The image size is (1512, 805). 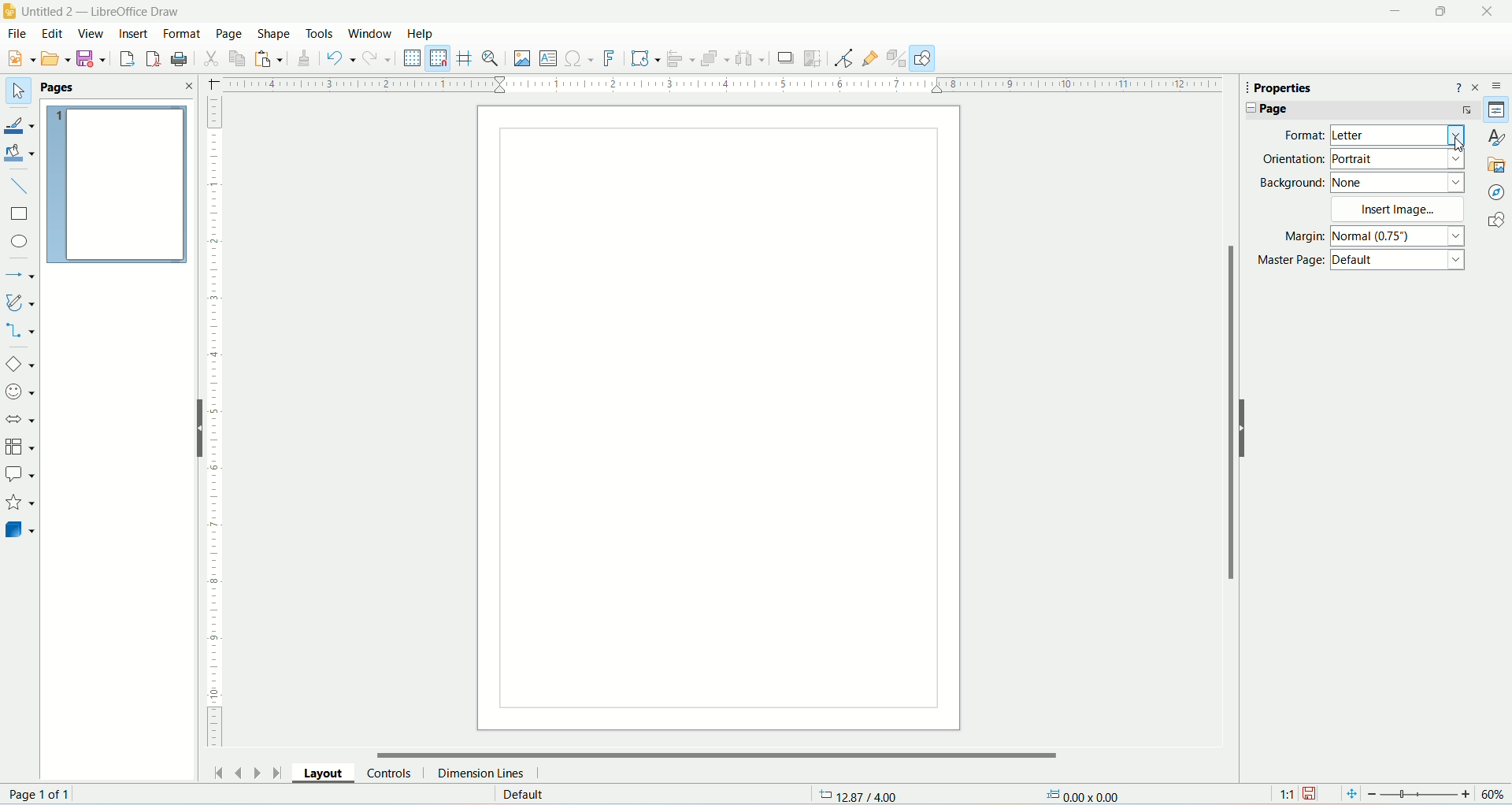 I want to click on crop image, so click(x=813, y=58).